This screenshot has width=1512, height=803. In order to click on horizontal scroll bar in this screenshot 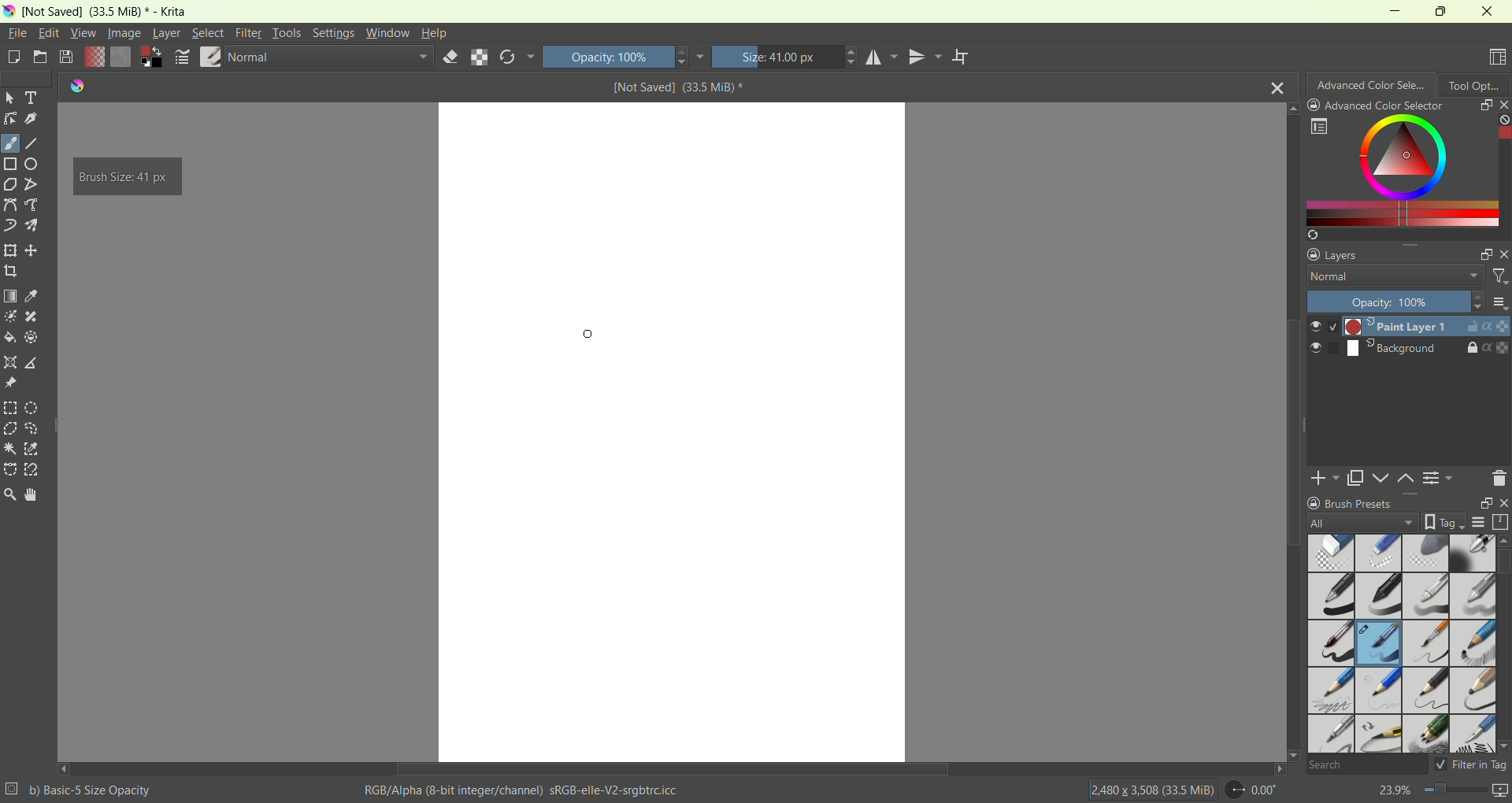, I will do `click(672, 769)`.